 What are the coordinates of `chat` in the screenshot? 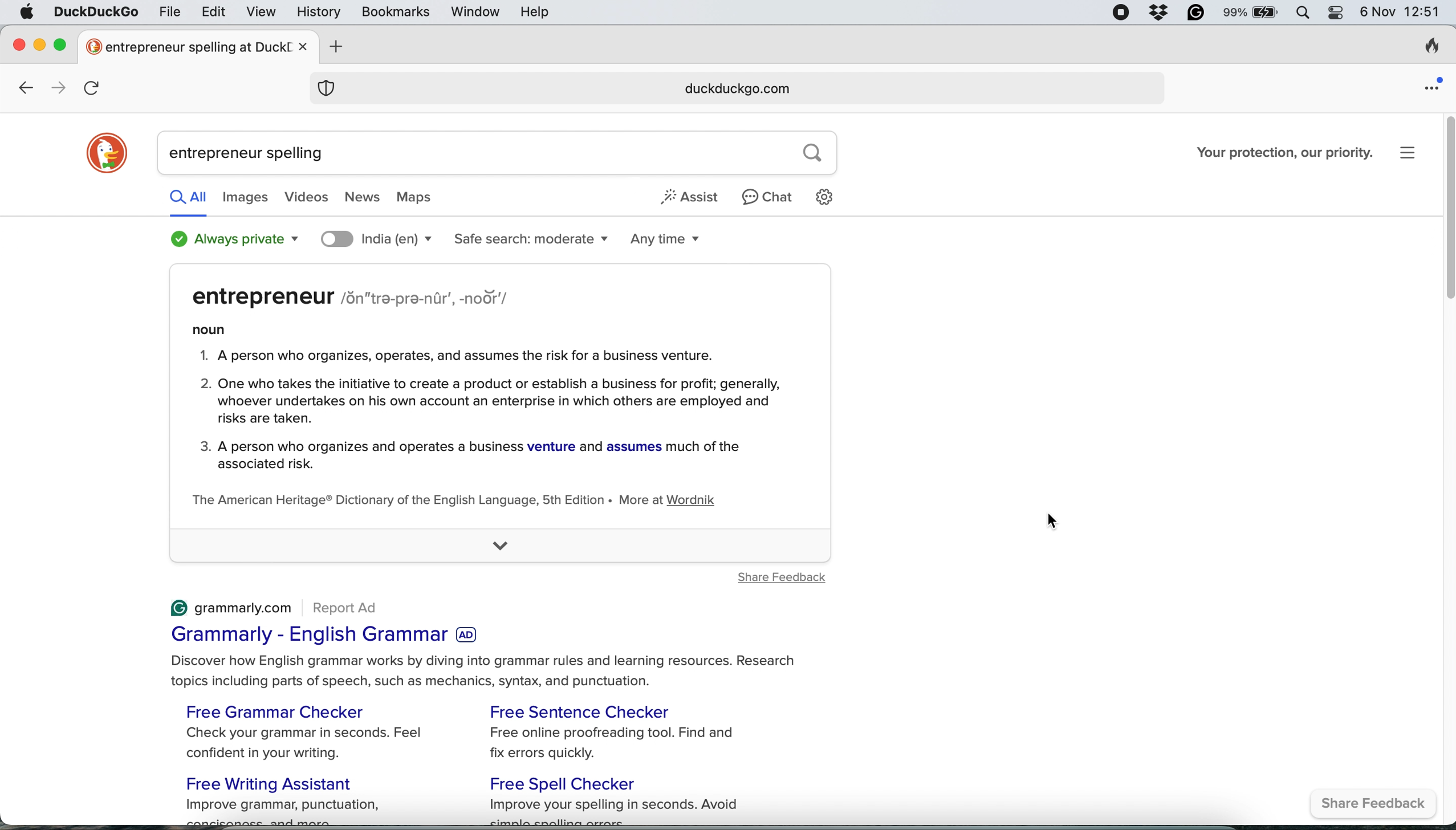 It's located at (768, 199).